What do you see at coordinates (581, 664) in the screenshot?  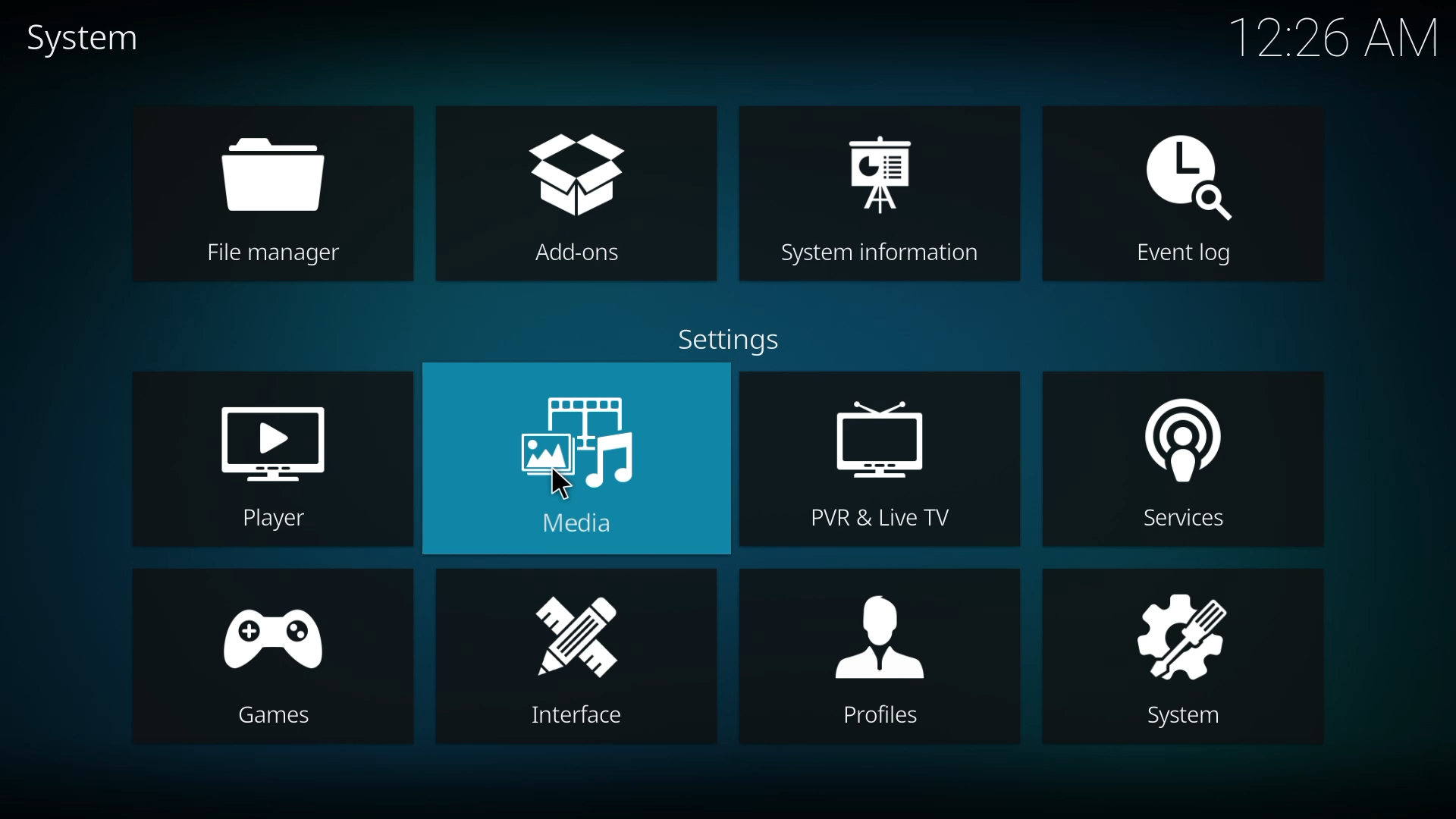 I see `interface` at bounding box center [581, 664].